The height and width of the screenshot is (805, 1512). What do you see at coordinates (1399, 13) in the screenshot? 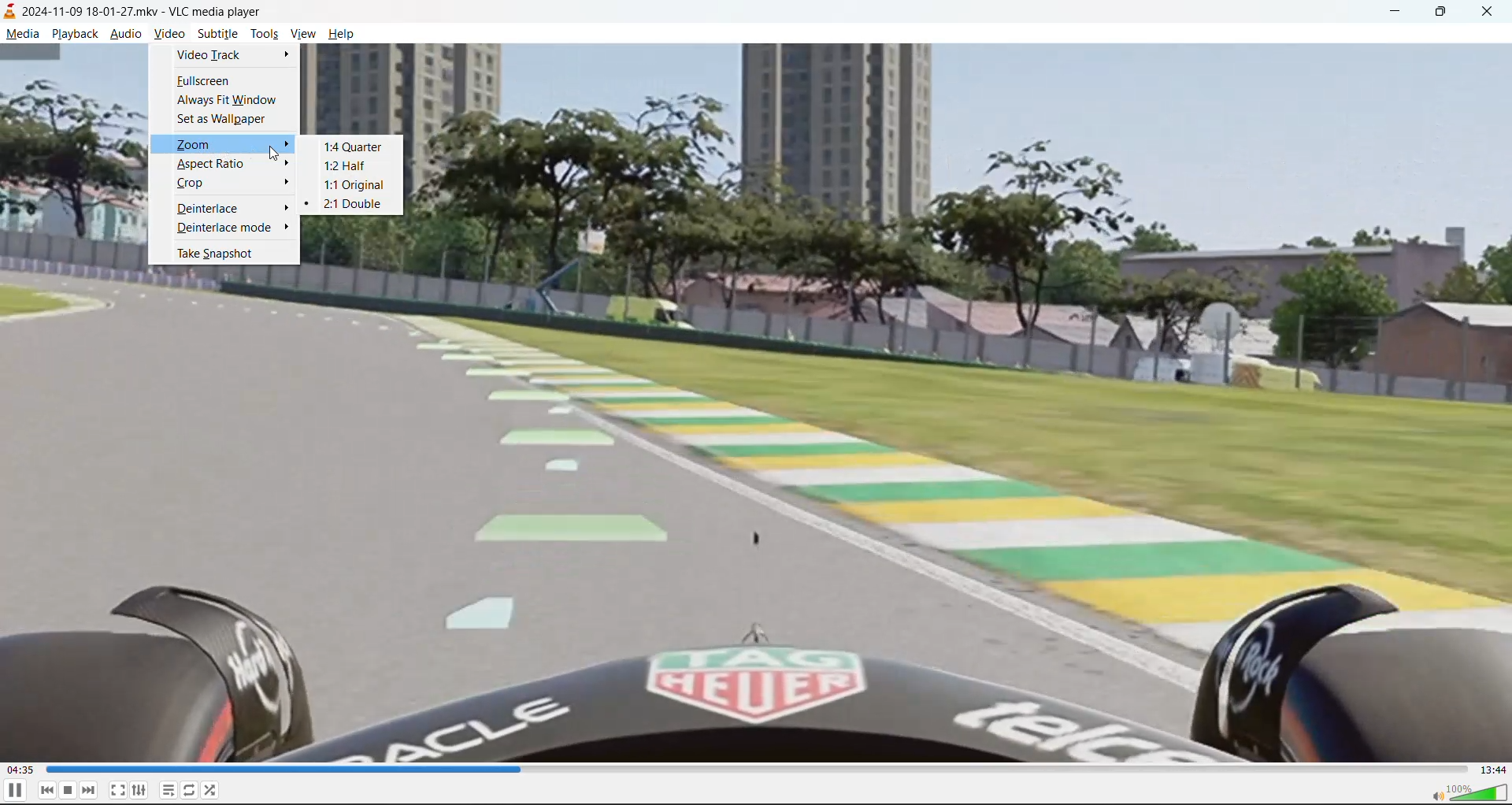
I see `minimize` at bounding box center [1399, 13].